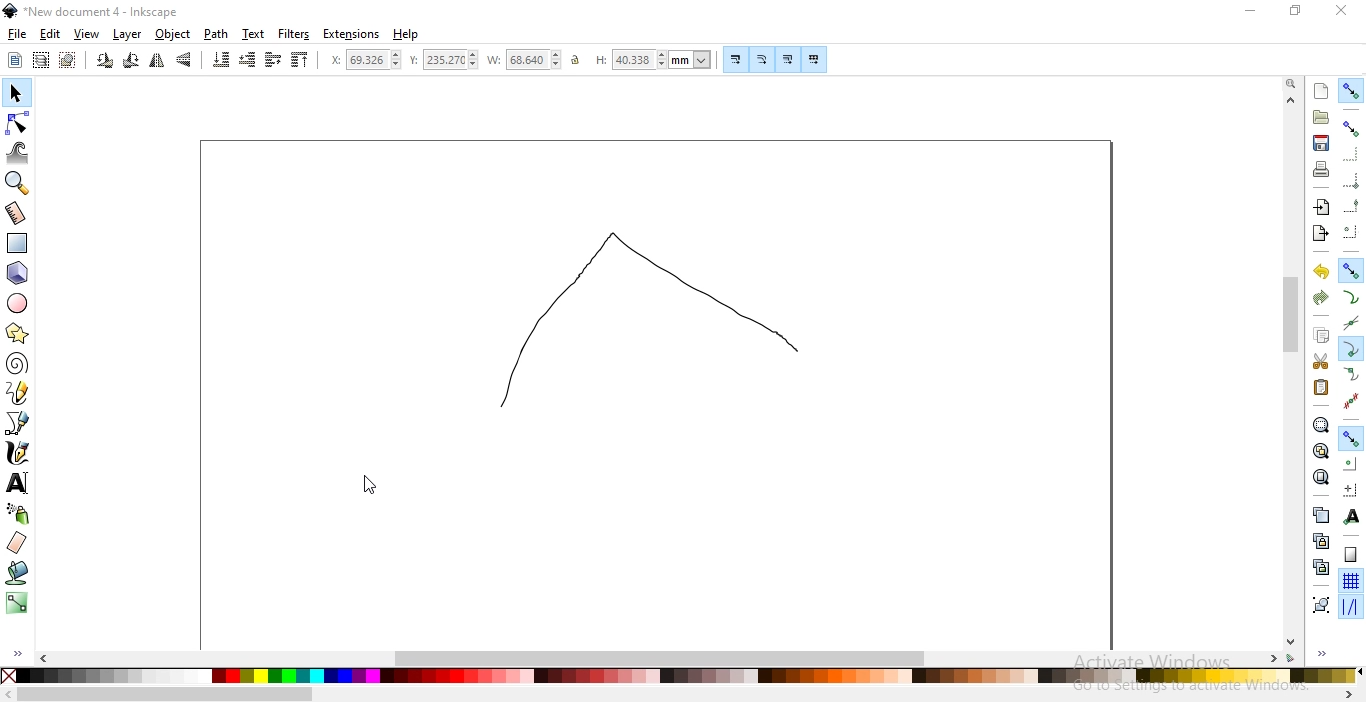 The width and height of the screenshot is (1366, 702). Describe the element at coordinates (18, 484) in the screenshot. I see `create and edit text` at that location.